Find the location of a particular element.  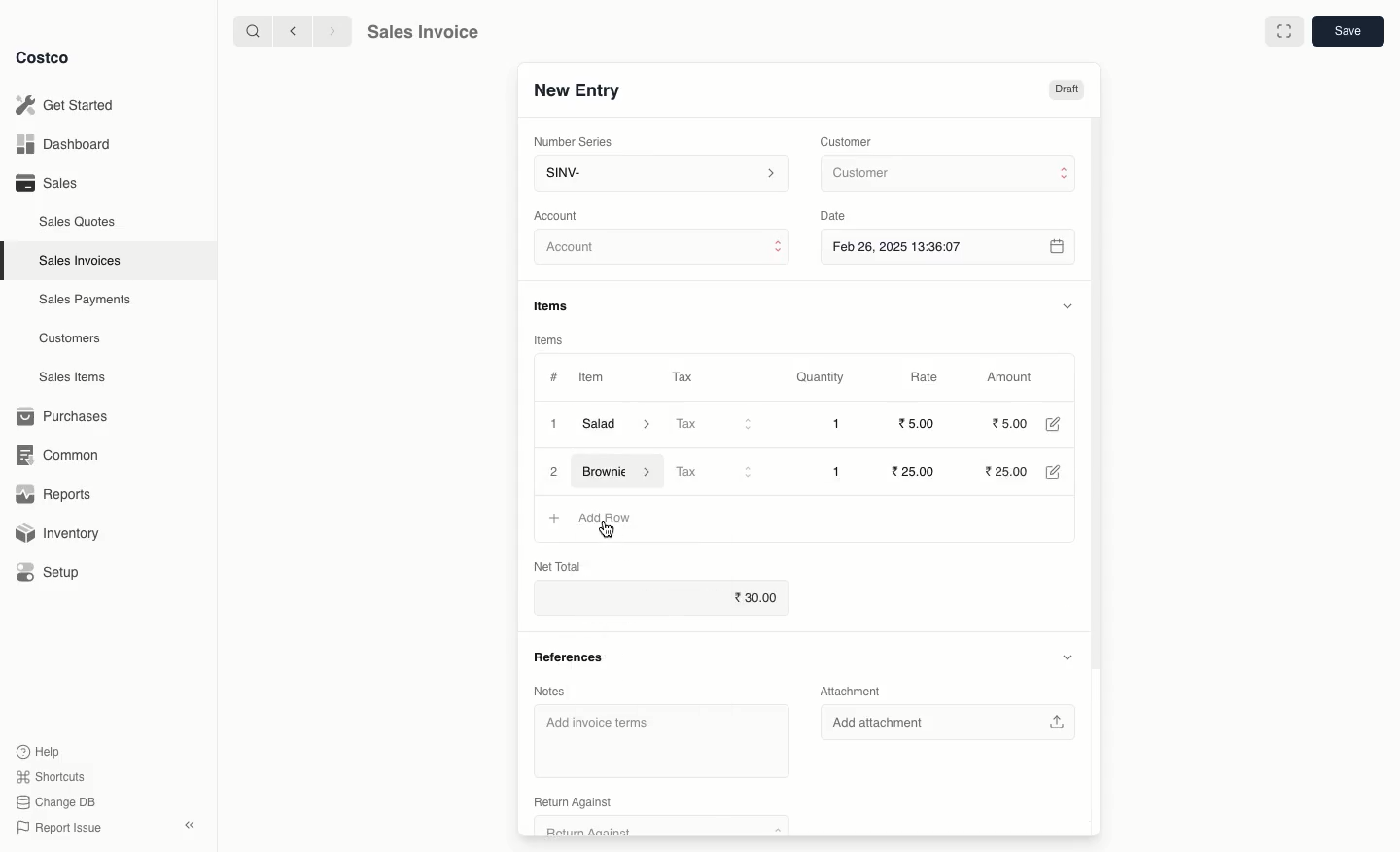

Hide is located at coordinates (1067, 305).